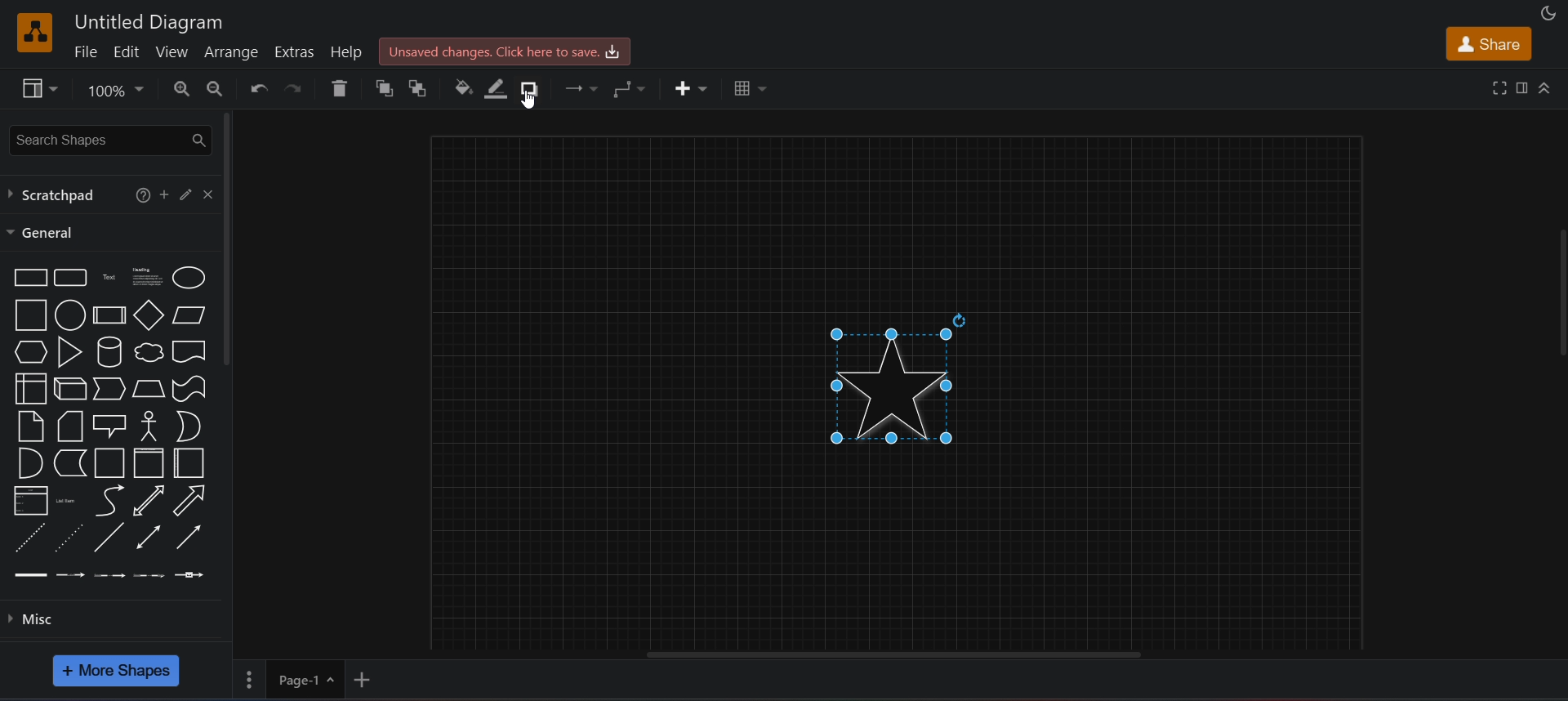 The image size is (1568, 701). Describe the element at coordinates (1488, 43) in the screenshot. I see `share` at that location.